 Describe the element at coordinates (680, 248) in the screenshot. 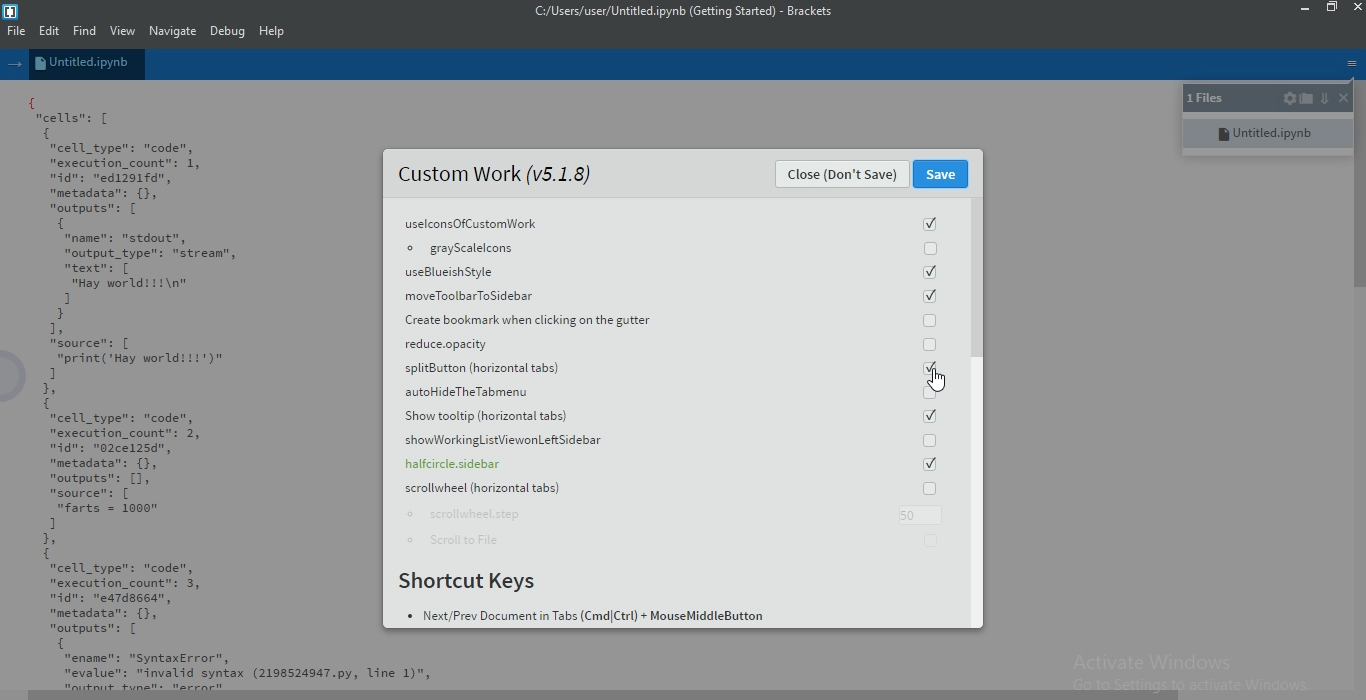

I see `grayscalelcons` at that location.